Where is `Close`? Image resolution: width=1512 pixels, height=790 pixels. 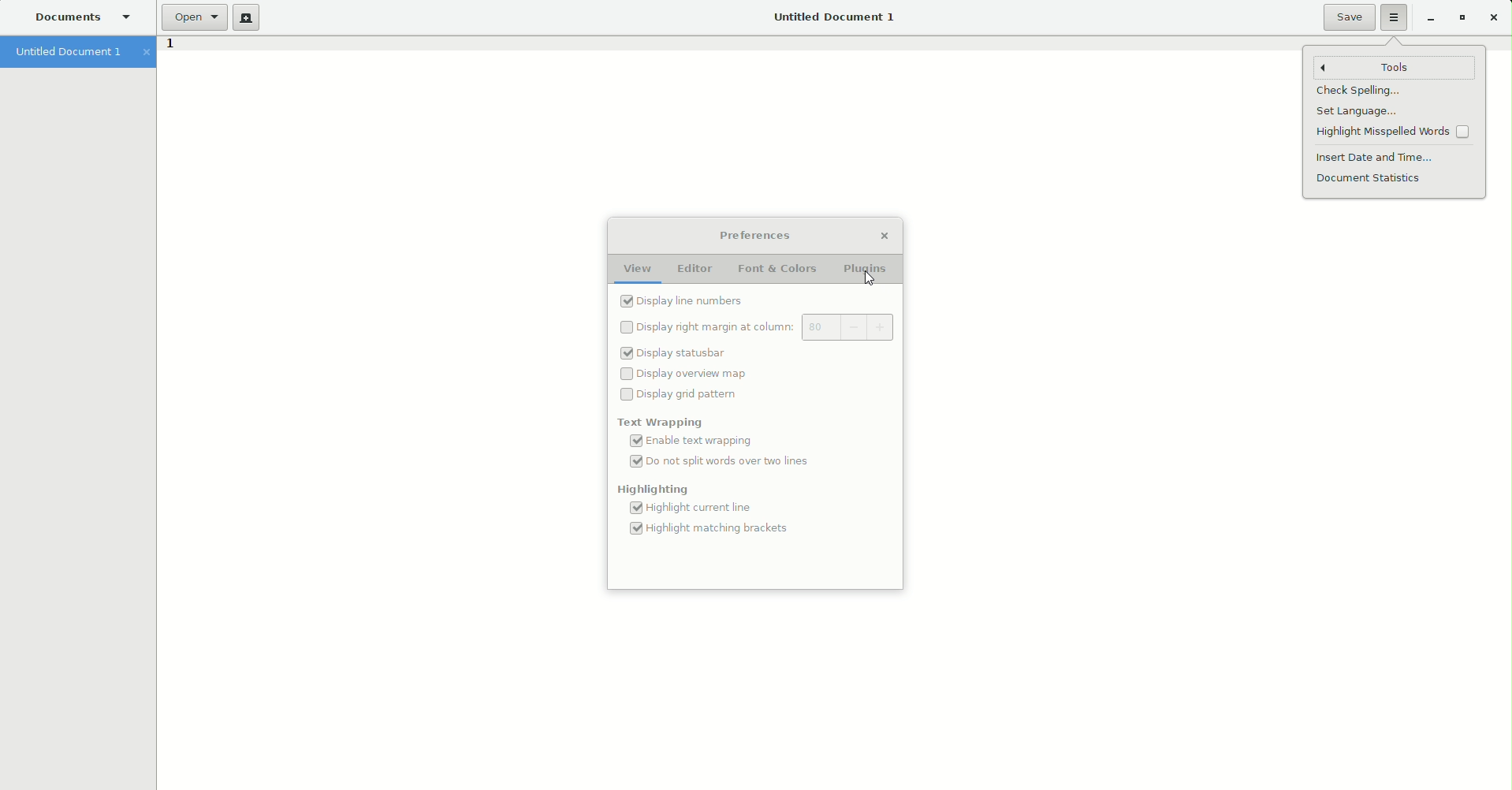 Close is located at coordinates (1492, 17).